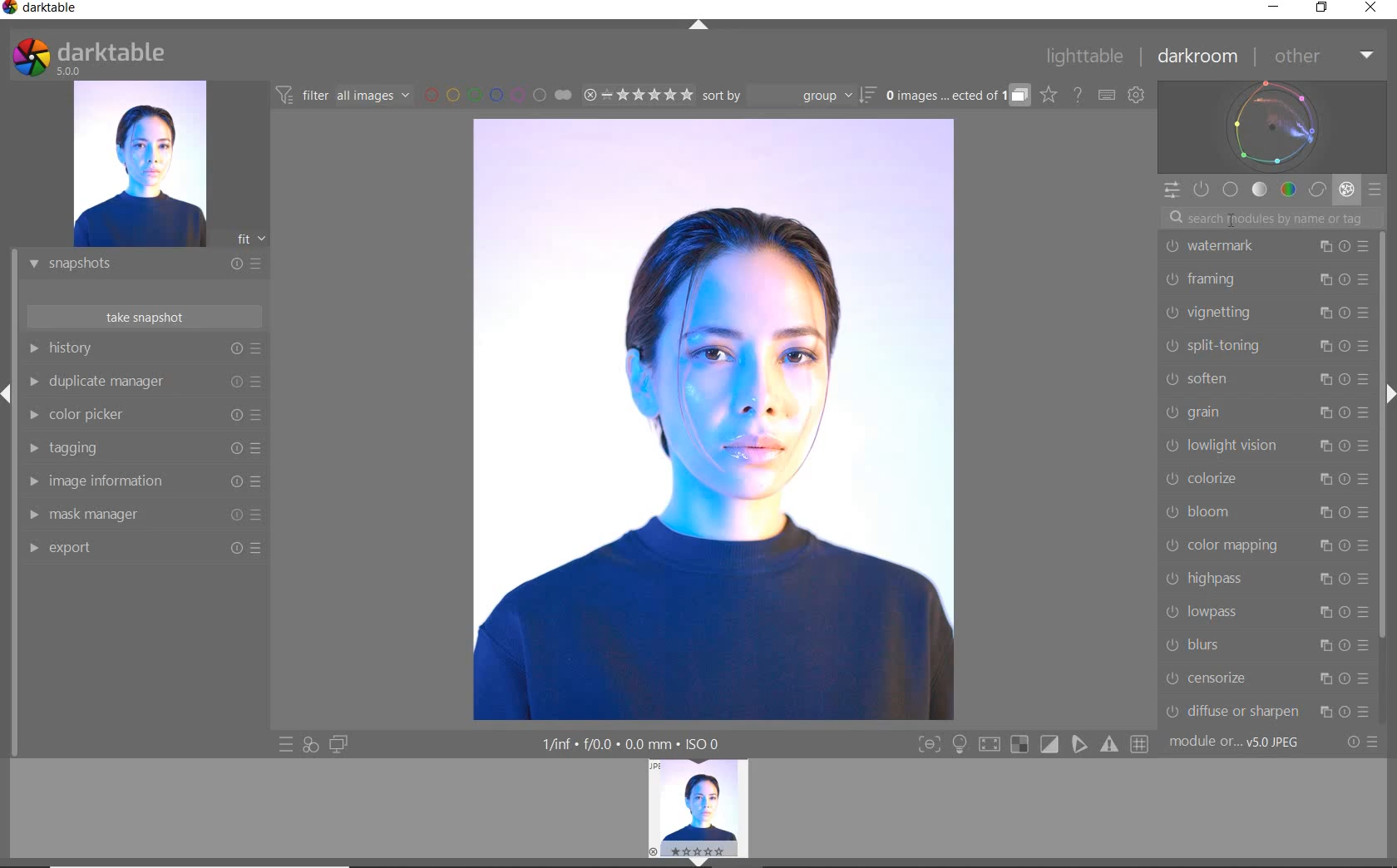  Describe the element at coordinates (1141, 745) in the screenshot. I see `Button` at that location.